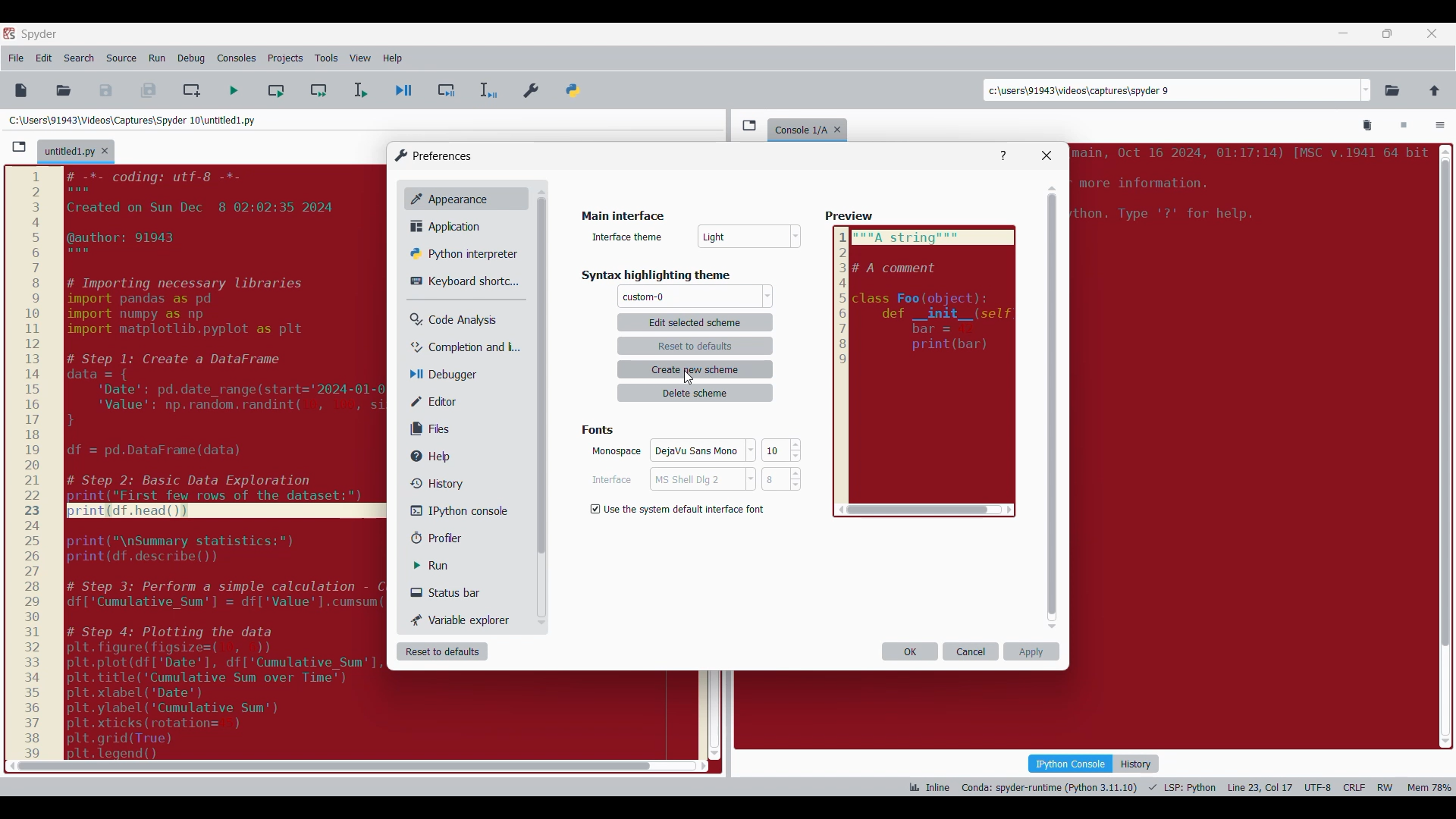  I want to click on Debug file, so click(404, 91).